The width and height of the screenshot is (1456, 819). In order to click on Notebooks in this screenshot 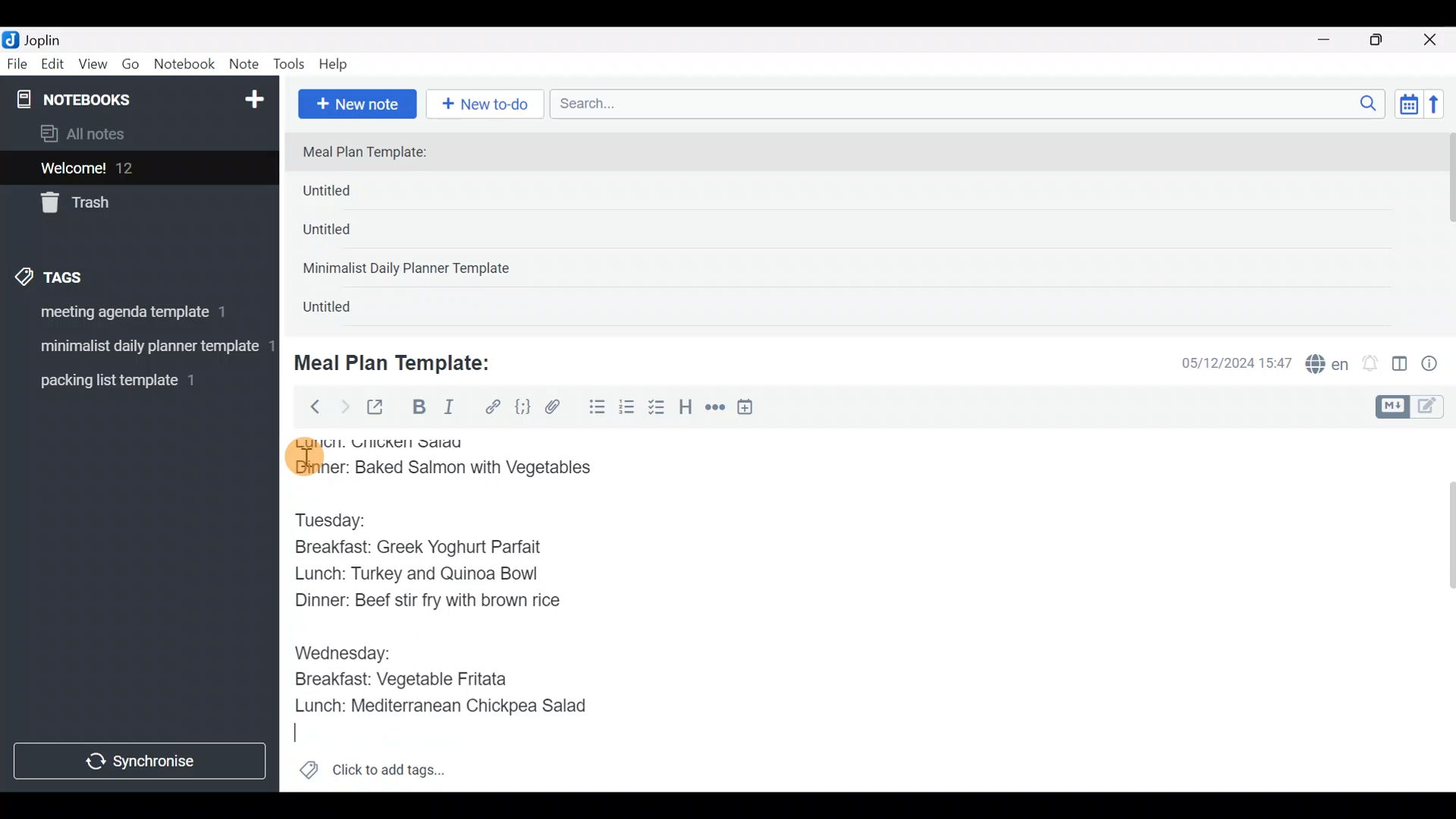, I will do `click(107, 99)`.